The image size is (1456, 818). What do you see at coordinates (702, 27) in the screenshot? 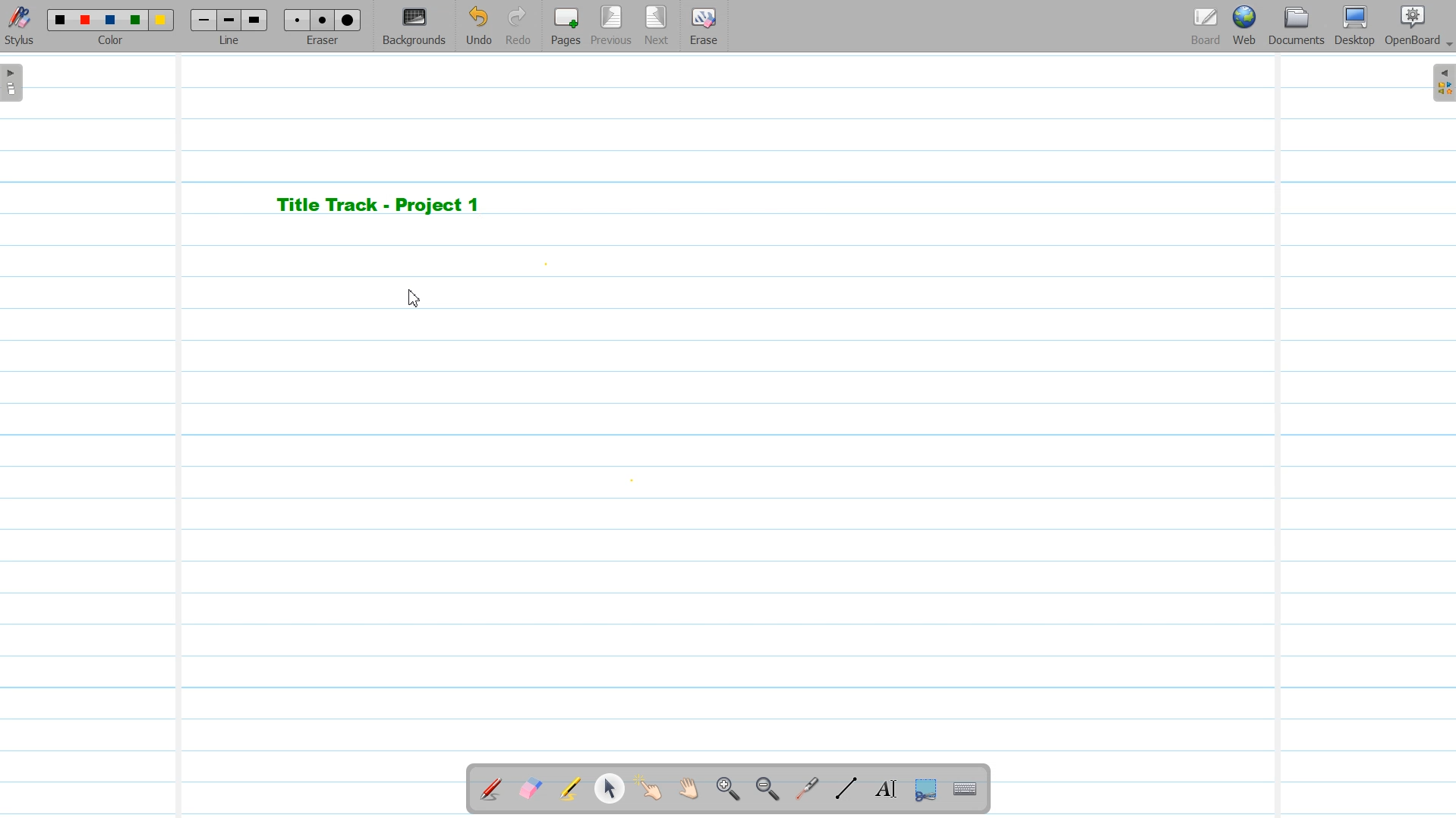
I see `Erase` at bounding box center [702, 27].